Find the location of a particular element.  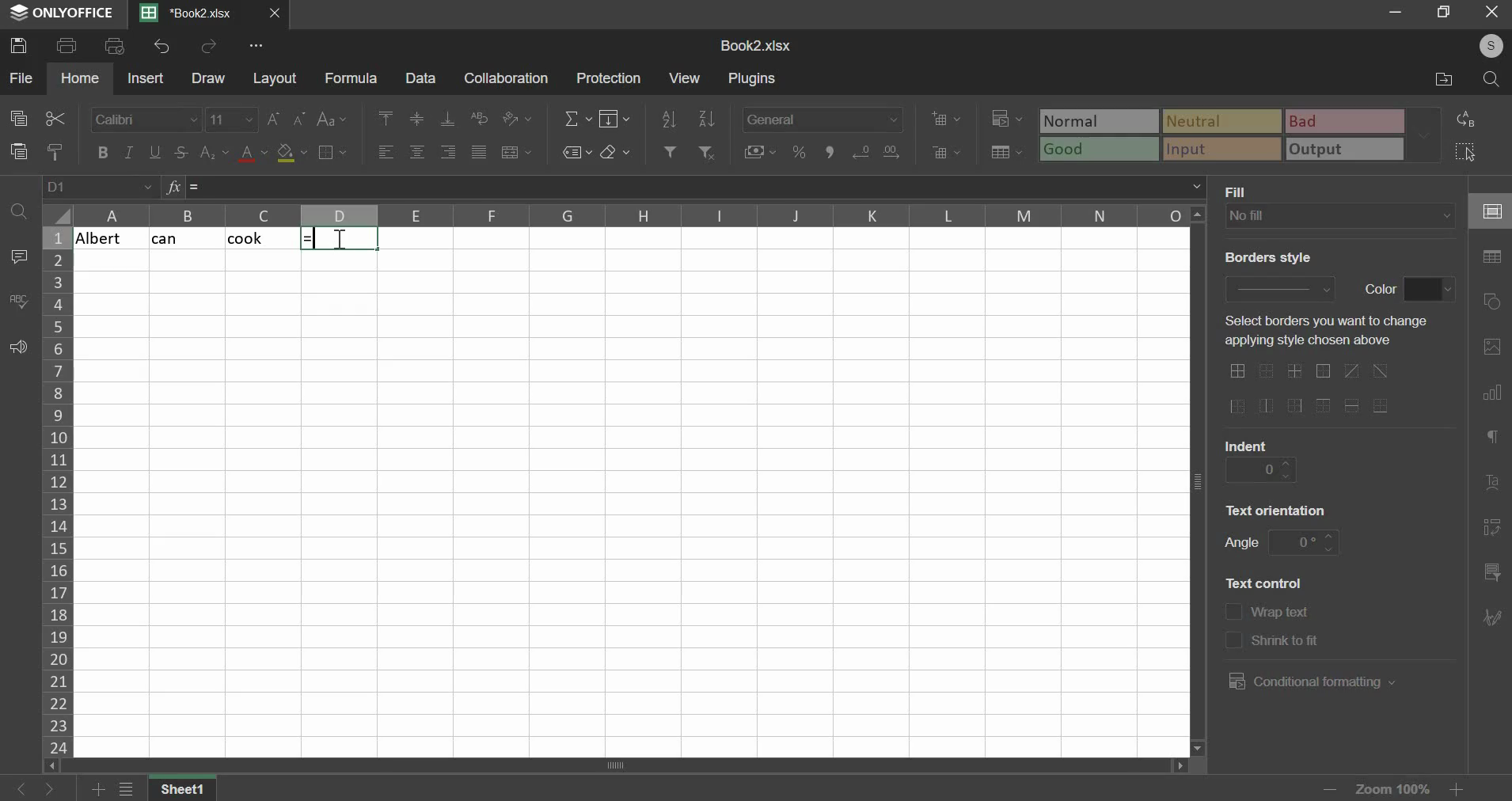

paragraph is located at coordinates (1491, 439).